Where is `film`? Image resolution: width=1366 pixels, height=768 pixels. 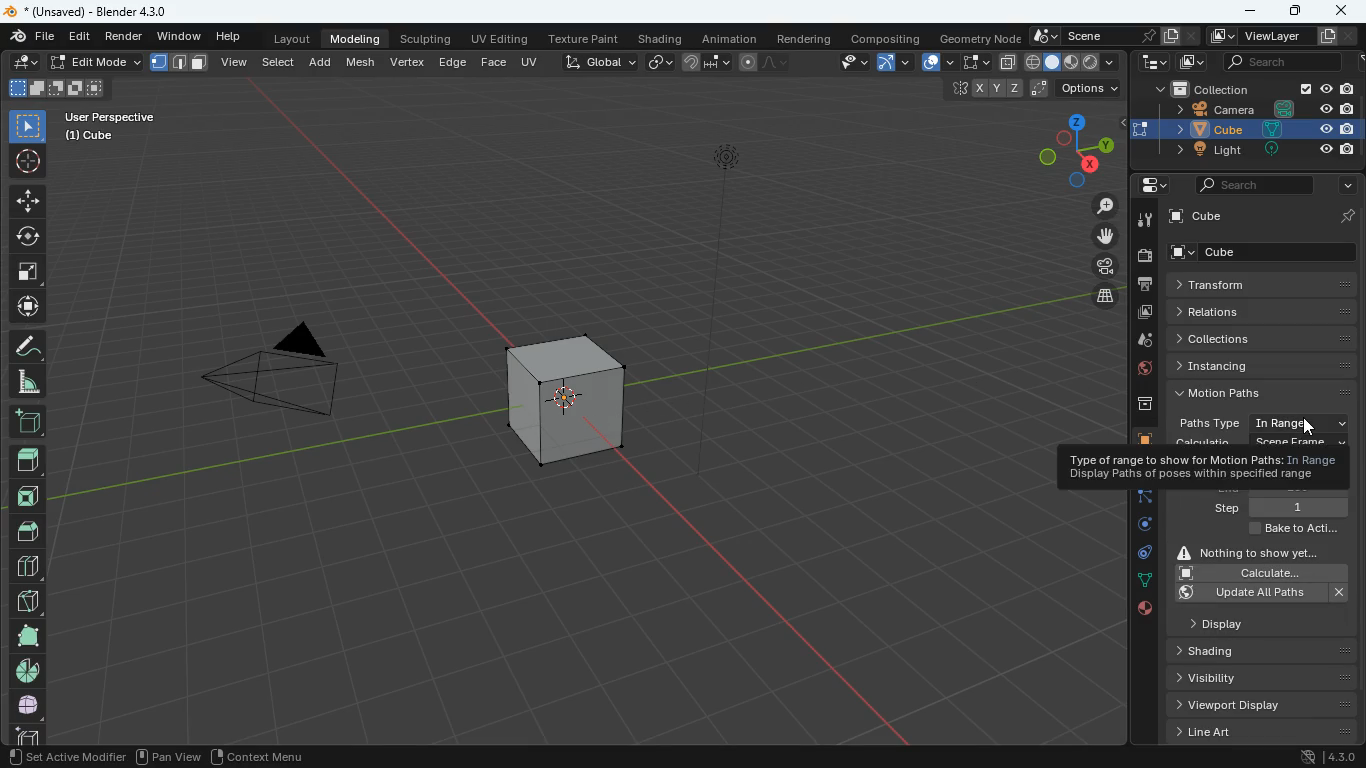 film is located at coordinates (1100, 268).